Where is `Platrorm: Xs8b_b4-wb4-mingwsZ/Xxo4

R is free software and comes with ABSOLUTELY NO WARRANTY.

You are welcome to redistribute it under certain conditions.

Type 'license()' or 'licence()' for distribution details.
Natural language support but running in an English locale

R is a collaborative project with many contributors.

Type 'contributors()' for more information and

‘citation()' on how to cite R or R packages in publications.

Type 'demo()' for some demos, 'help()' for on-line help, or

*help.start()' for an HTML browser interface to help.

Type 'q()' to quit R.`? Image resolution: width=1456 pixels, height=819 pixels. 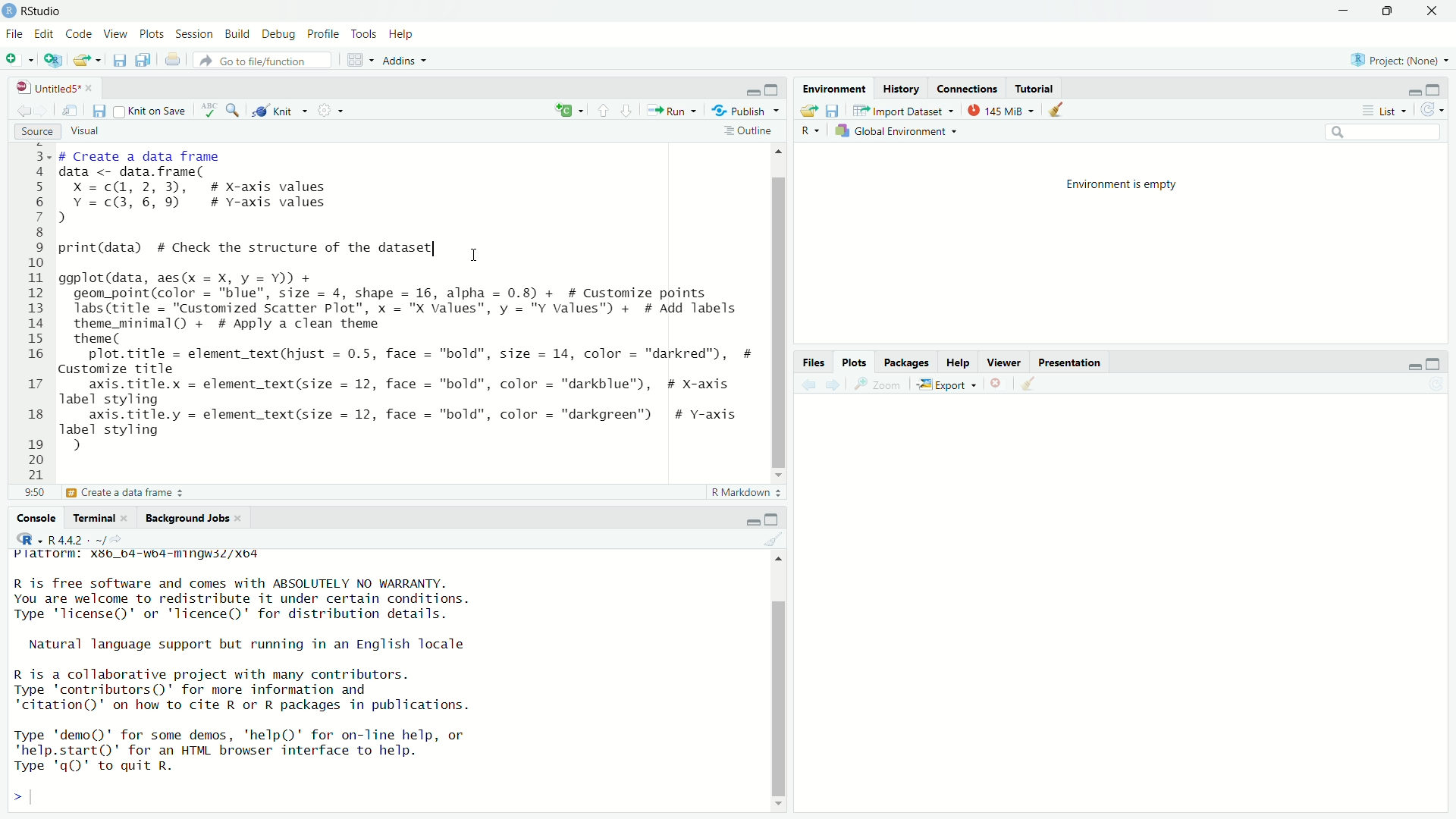
Platrorm: Xs8b_b4-wb4-mingwsZ/Xxo4

R is free software and comes with ABSOLUTELY NO WARRANTY.

You are welcome to redistribute it under certain conditions.

Type 'license()' or 'licence()' for distribution details.
Natural language support but running in an English locale

R is a collaborative project with many contributors.

Type 'contributors()' for more information and

‘citation()' on how to cite R or R packages in publications.

Type 'demo()' for some demos, 'help()' for on-line help, or

*help.start()' for an HTML browser interface to help.

Type 'q()' to quit R. is located at coordinates (256, 659).